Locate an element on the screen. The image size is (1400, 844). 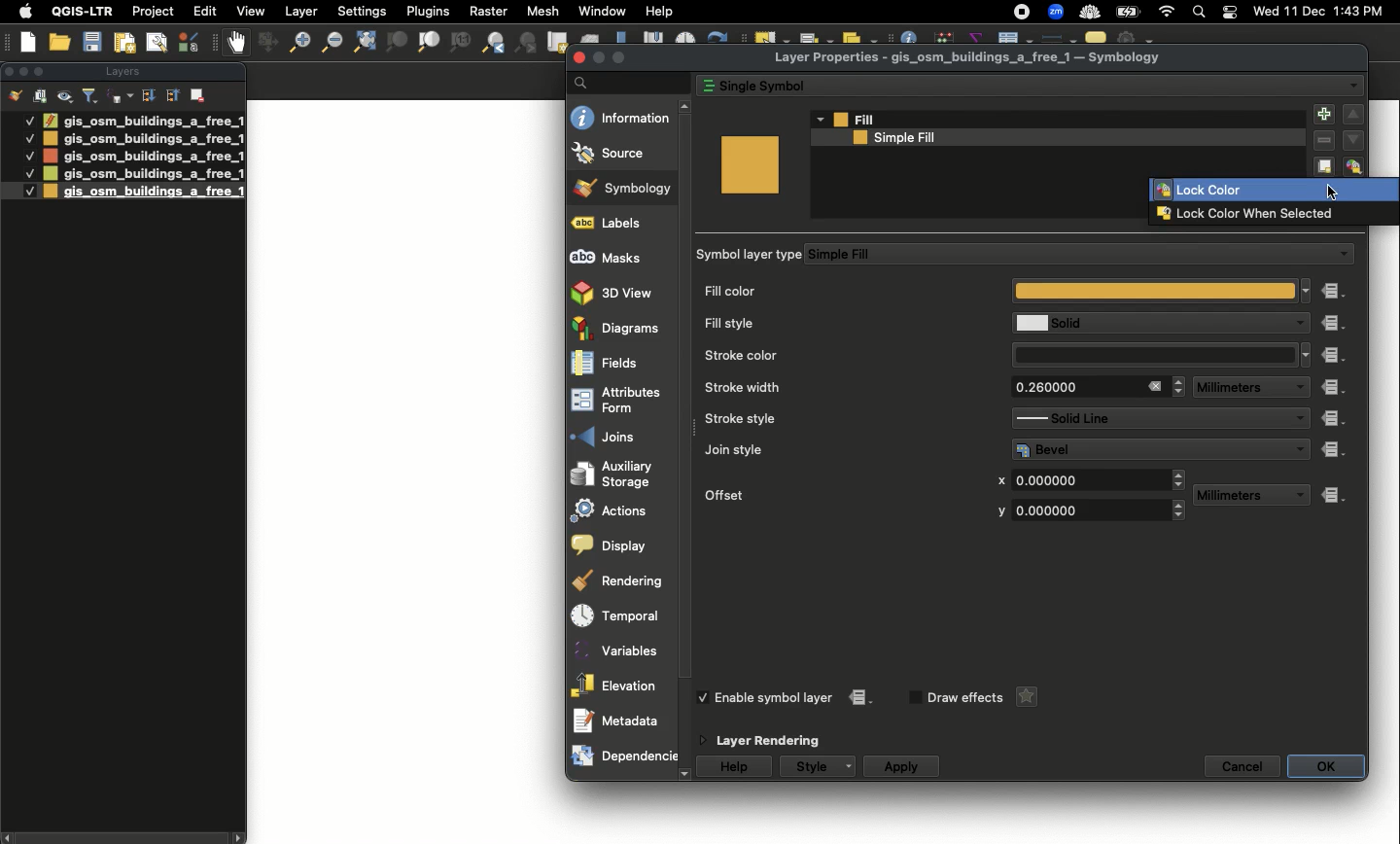
Enable symbol layer is located at coordinates (776, 697).